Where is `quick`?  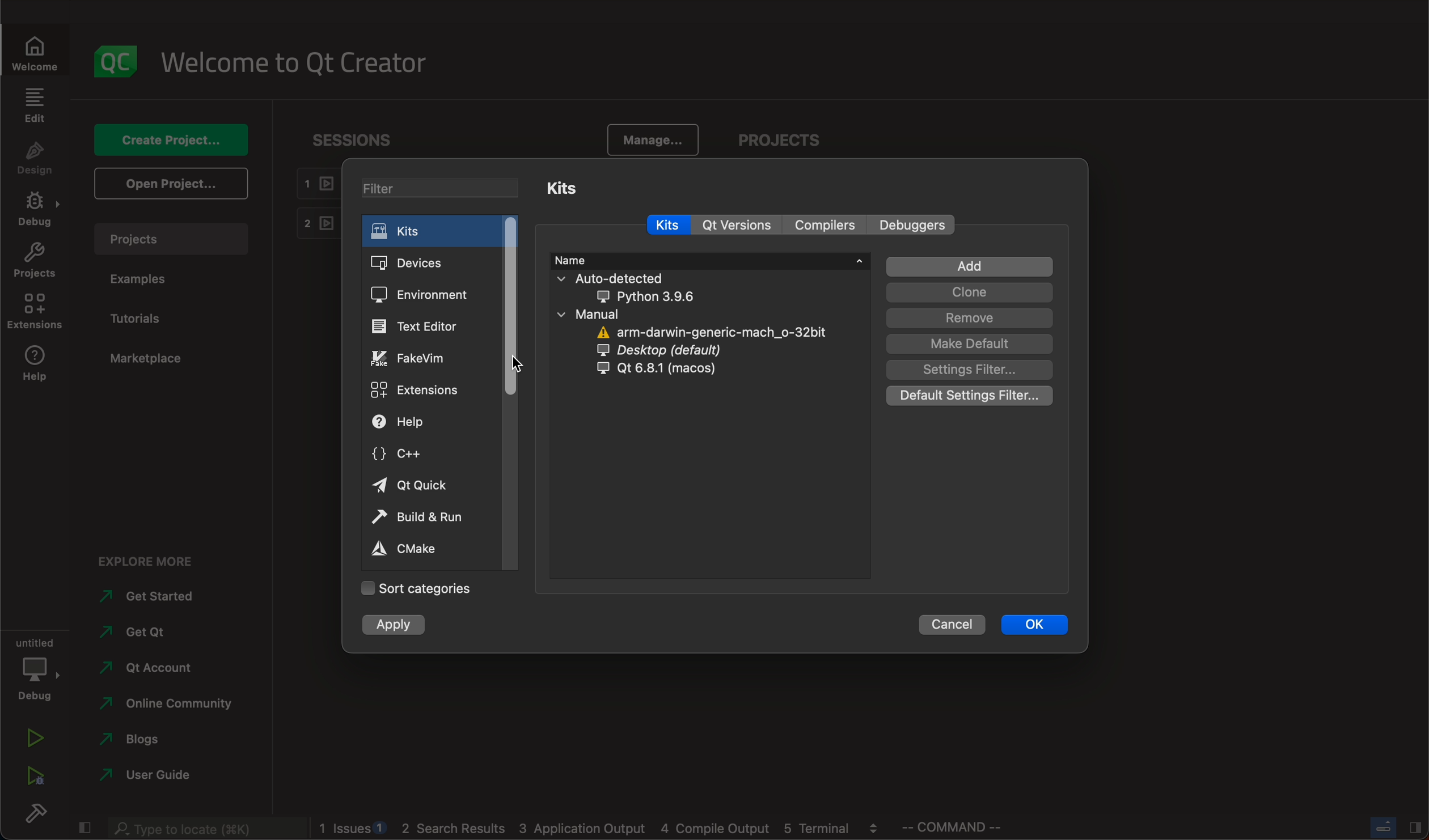 quick is located at coordinates (416, 485).